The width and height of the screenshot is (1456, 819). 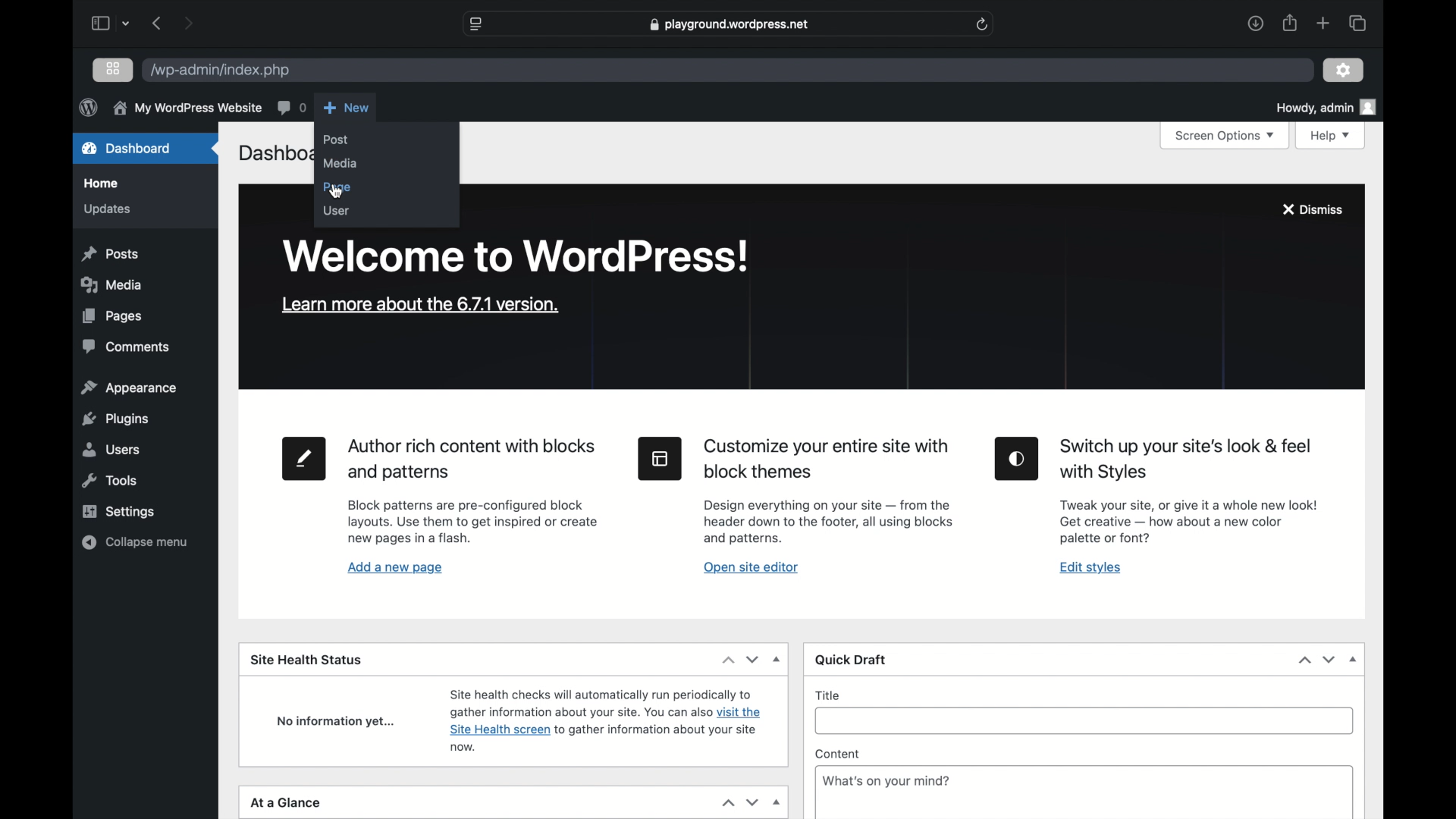 What do you see at coordinates (739, 660) in the screenshot?
I see `stepper buttons` at bounding box center [739, 660].